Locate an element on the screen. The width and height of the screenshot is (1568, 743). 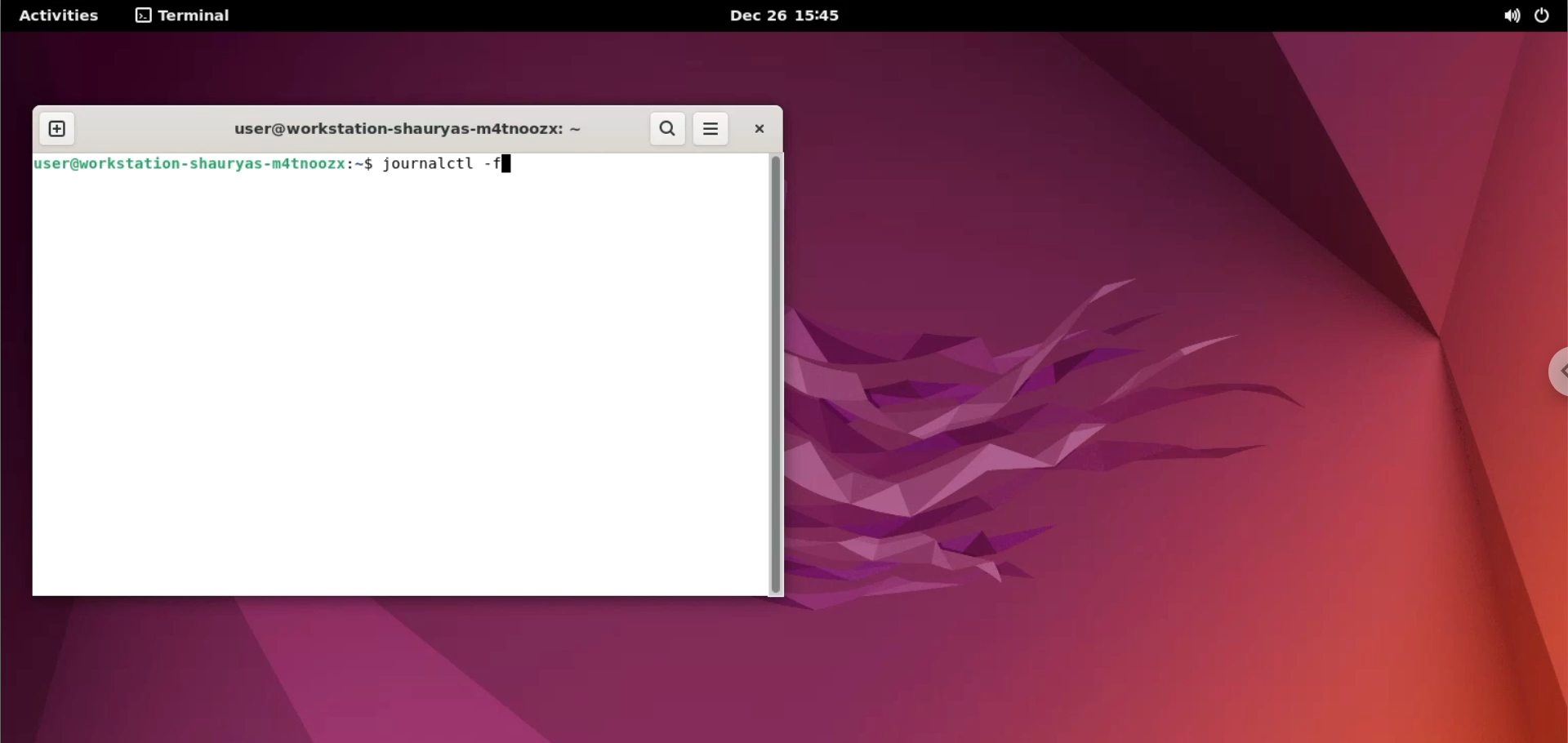
cursor is located at coordinates (517, 165).